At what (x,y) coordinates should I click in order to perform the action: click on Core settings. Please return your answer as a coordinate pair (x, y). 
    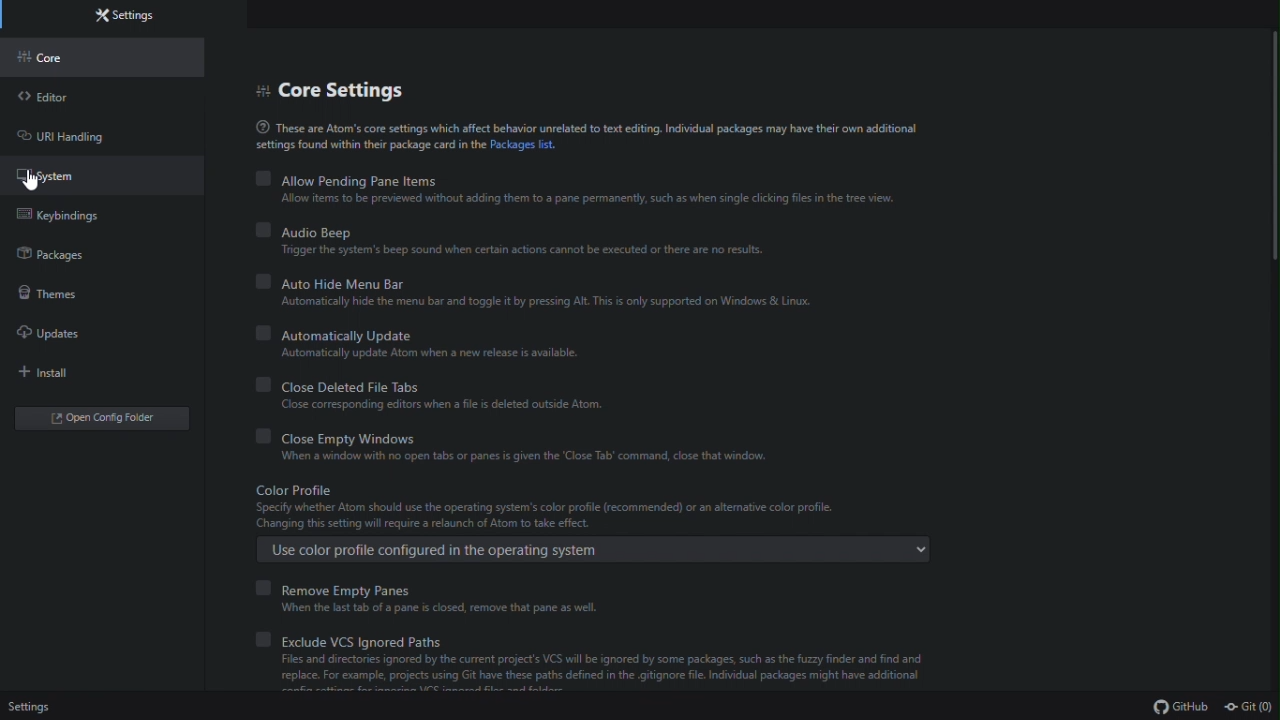
    Looking at the image, I should click on (368, 89).